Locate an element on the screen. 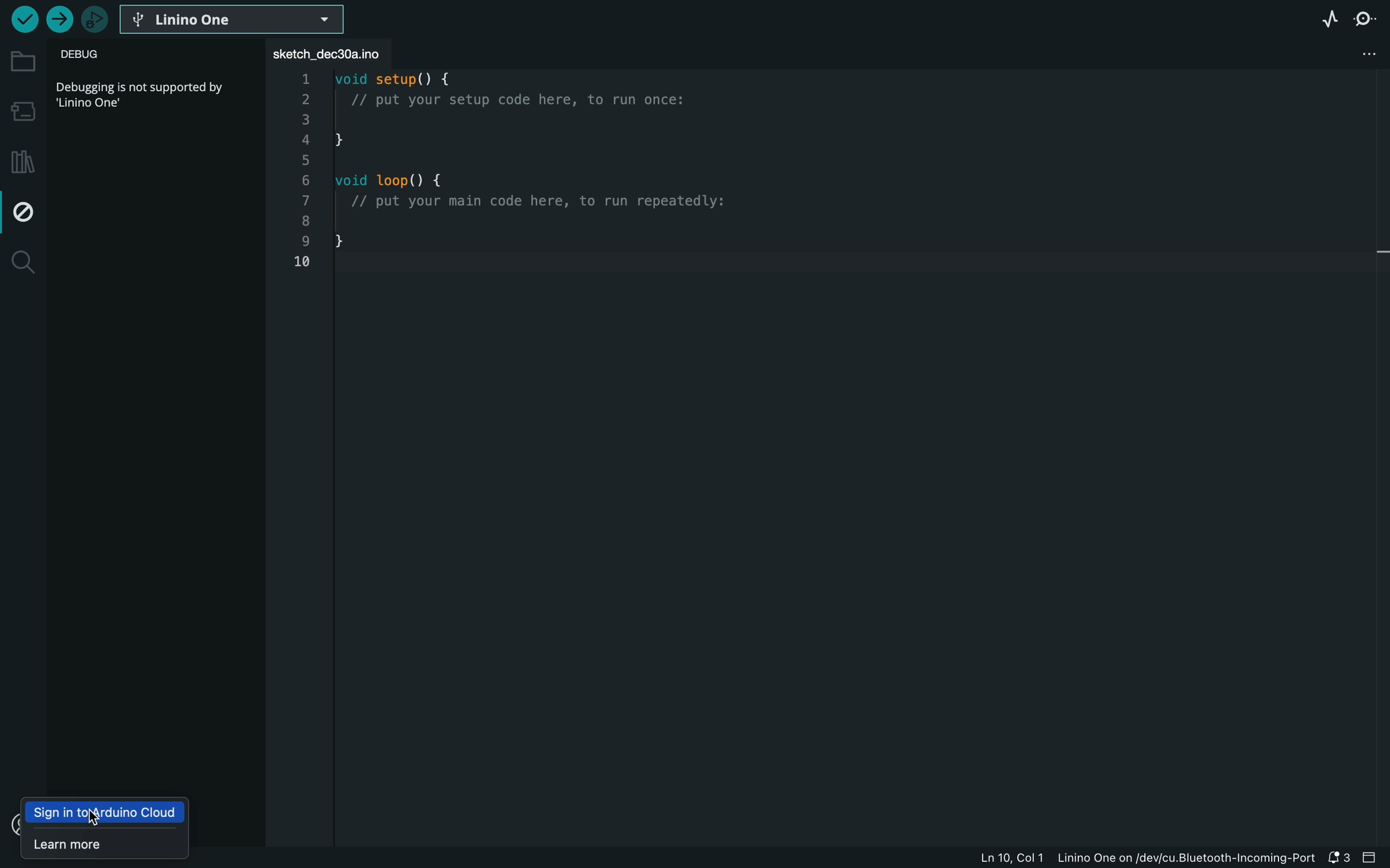  file setting is located at coordinates (1340, 53).